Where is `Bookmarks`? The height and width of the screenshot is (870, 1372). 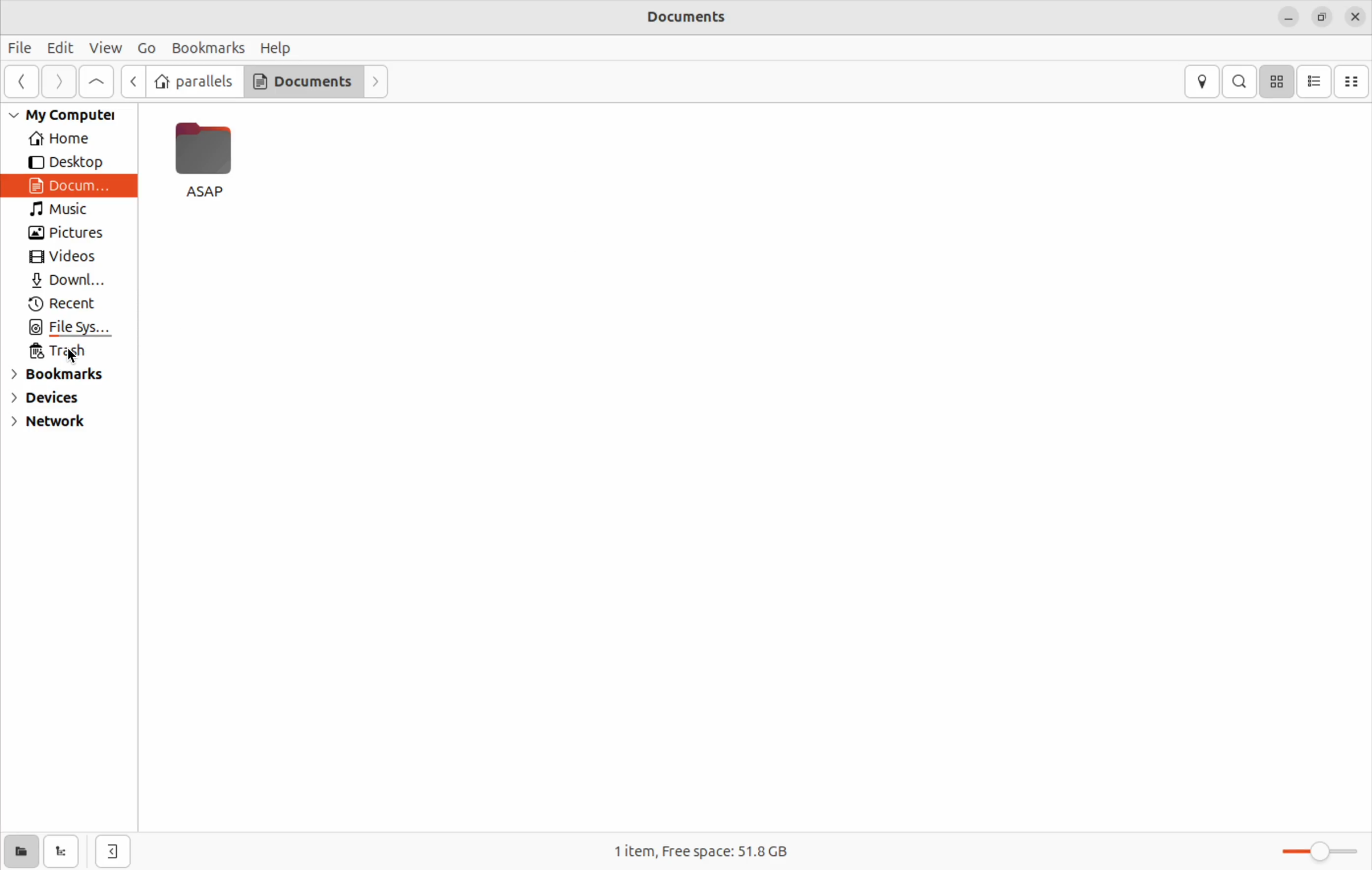
Bookmarks is located at coordinates (208, 48).